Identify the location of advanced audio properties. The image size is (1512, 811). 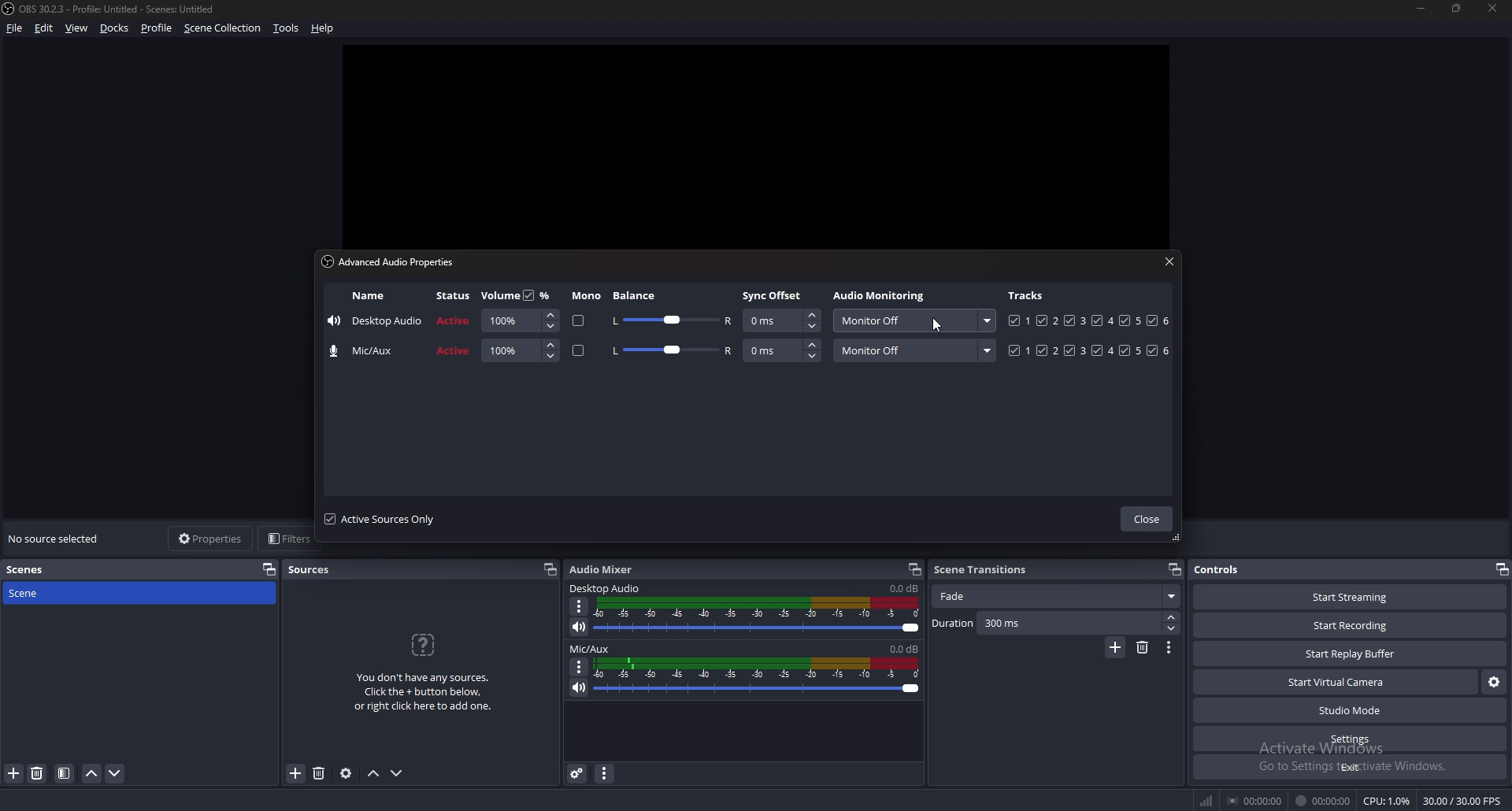
(579, 774).